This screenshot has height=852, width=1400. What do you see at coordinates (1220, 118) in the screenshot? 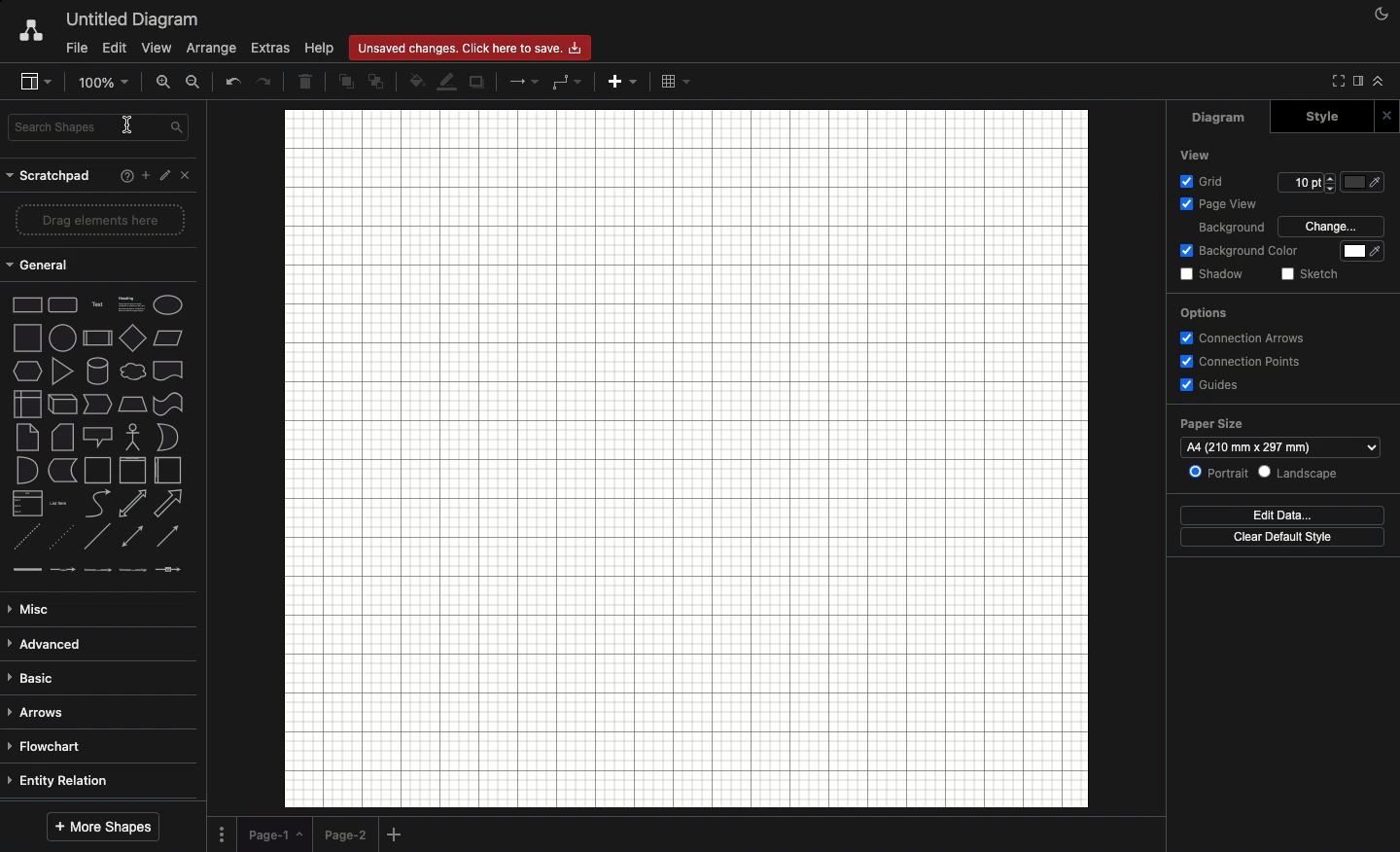
I see `Diagram` at bounding box center [1220, 118].